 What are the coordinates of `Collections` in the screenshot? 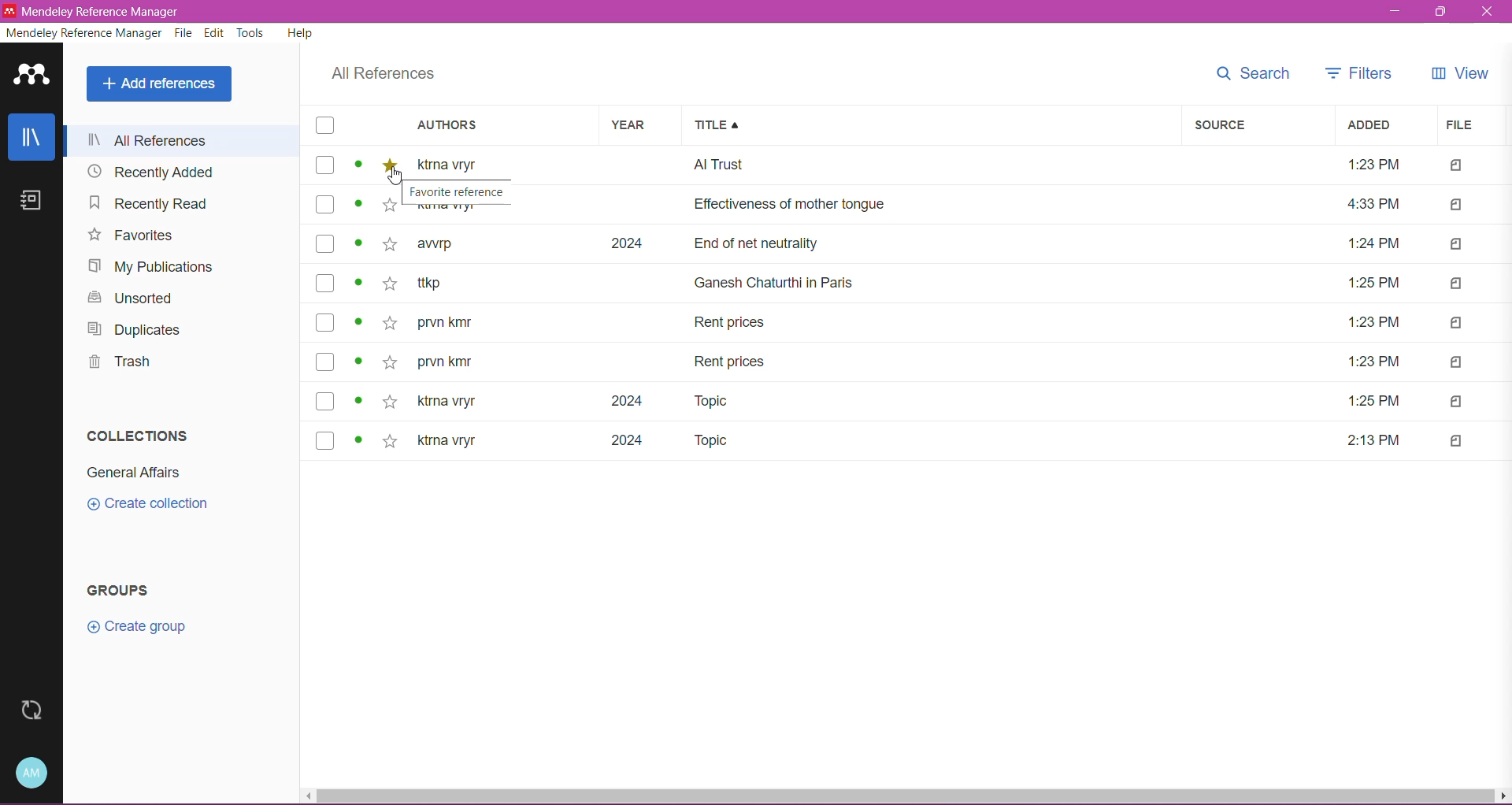 It's located at (137, 434).